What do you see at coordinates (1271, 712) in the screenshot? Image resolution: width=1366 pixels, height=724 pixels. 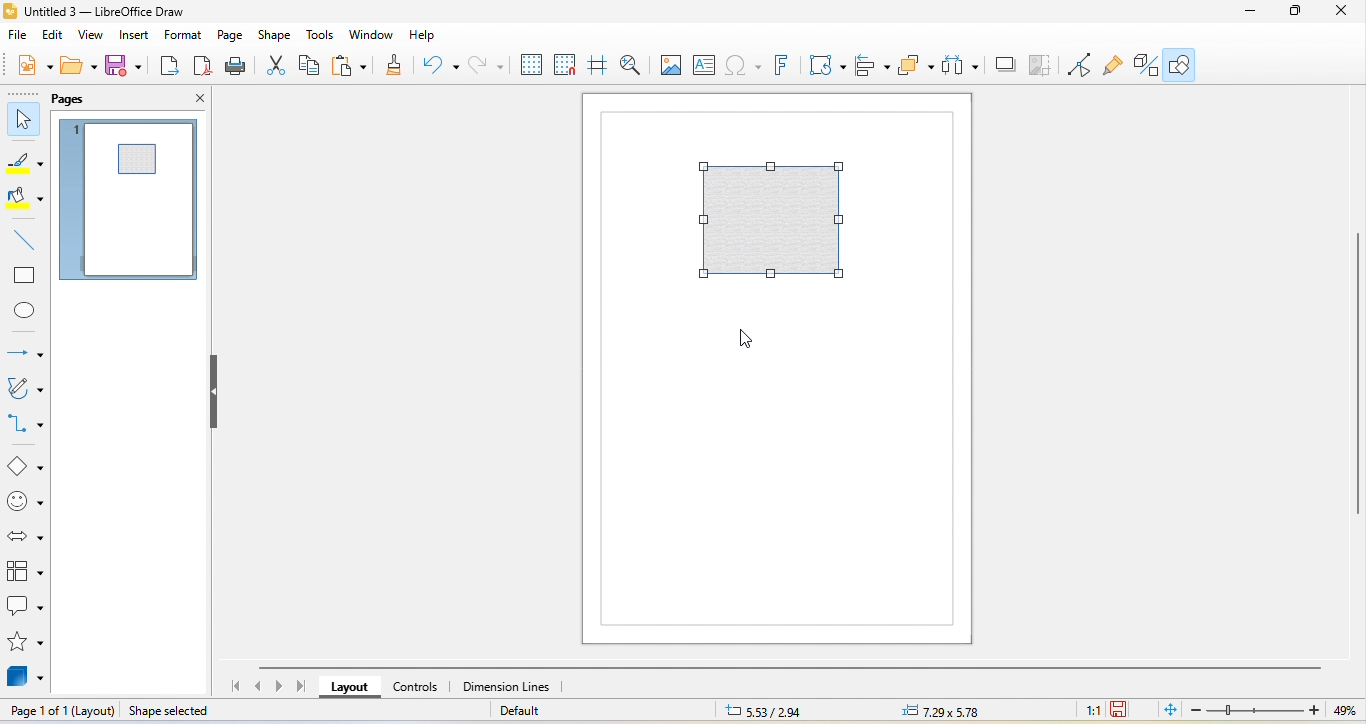 I see `zoom` at bounding box center [1271, 712].